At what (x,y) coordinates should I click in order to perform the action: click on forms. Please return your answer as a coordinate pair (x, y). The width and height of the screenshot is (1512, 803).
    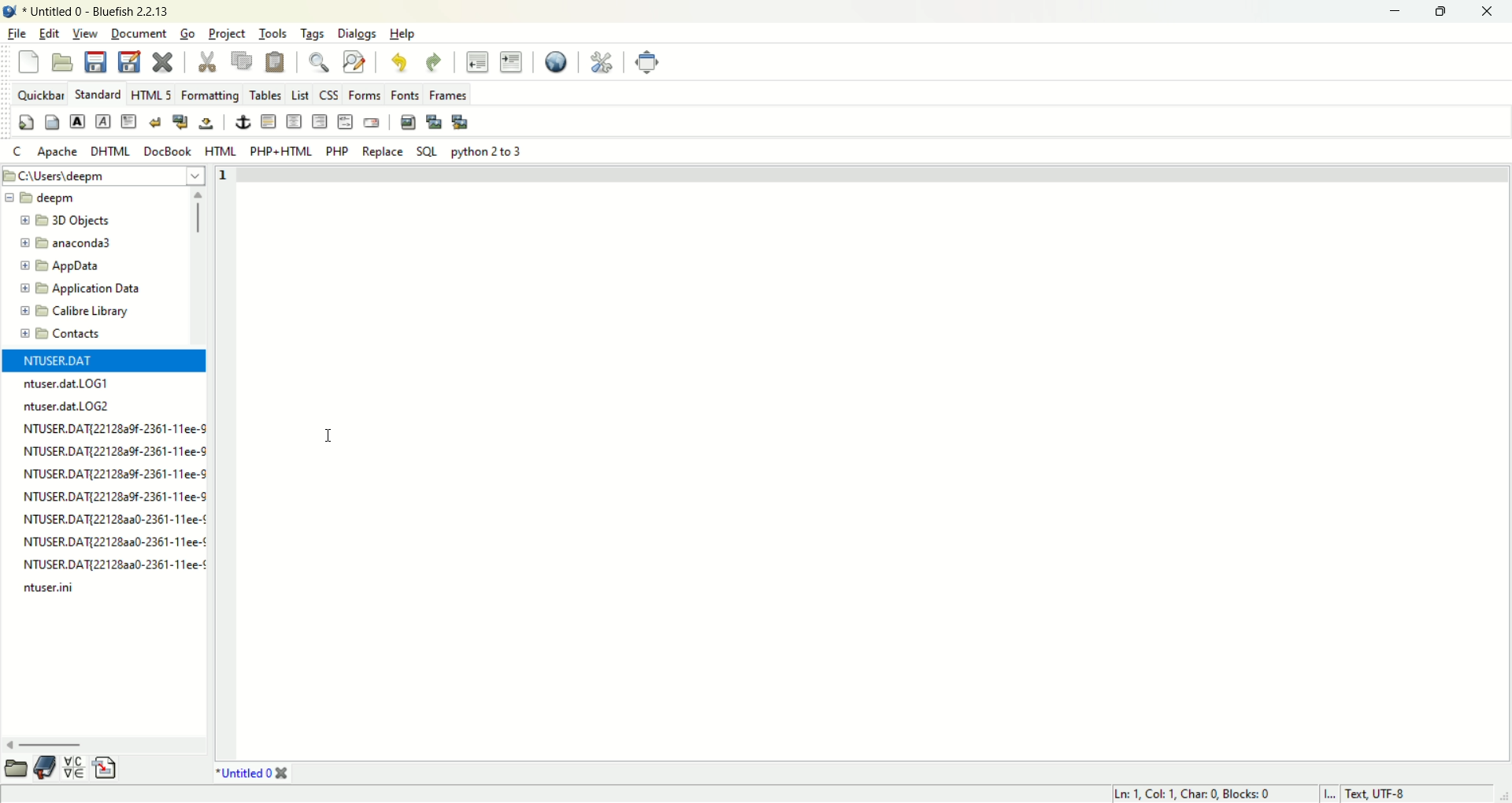
    Looking at the image, I should click on (360, 96).